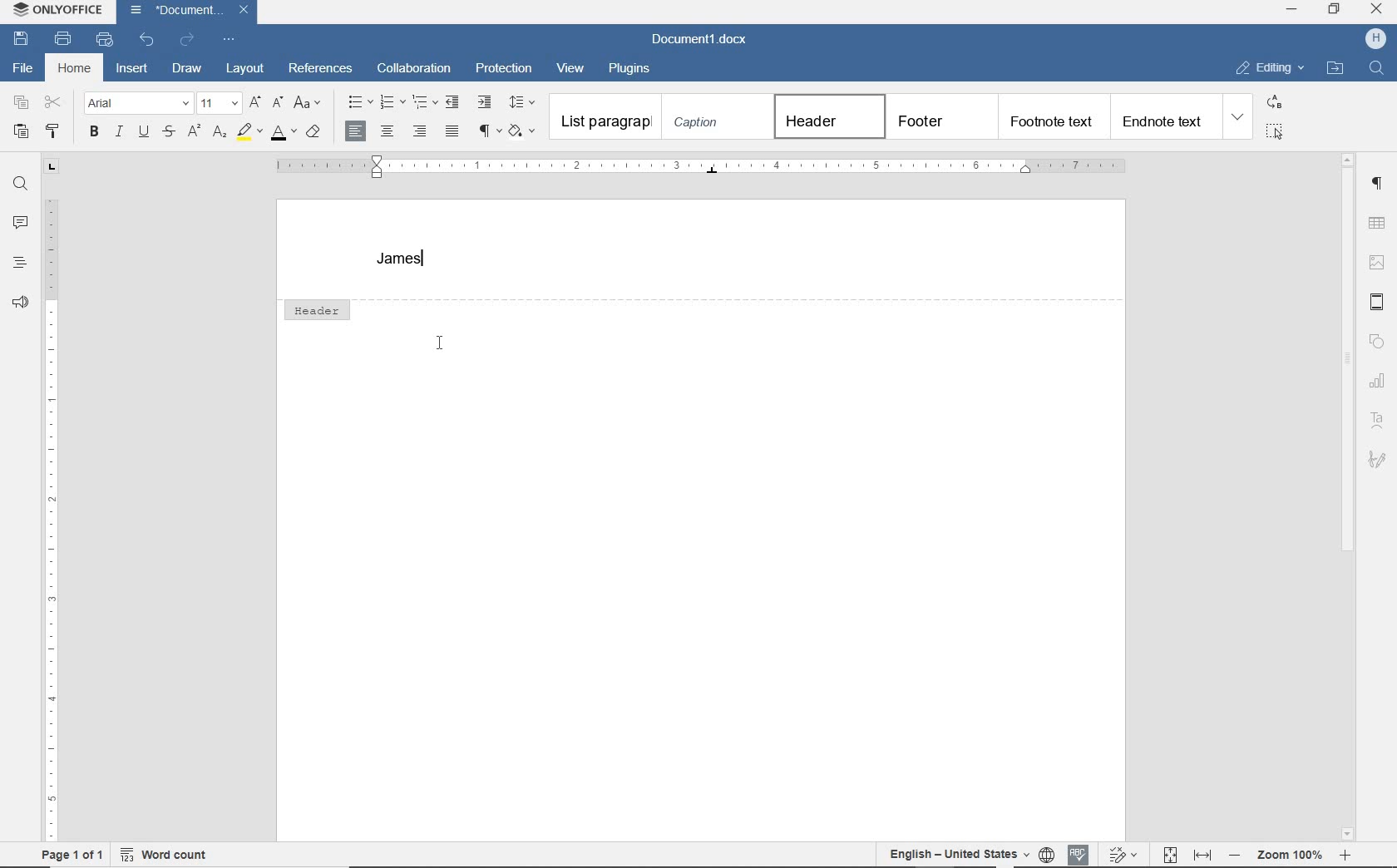 The image size is (1397, 868). Describe the element at coordinates (1376, 11) in the screenshot. I see `CLOSE` at that location.